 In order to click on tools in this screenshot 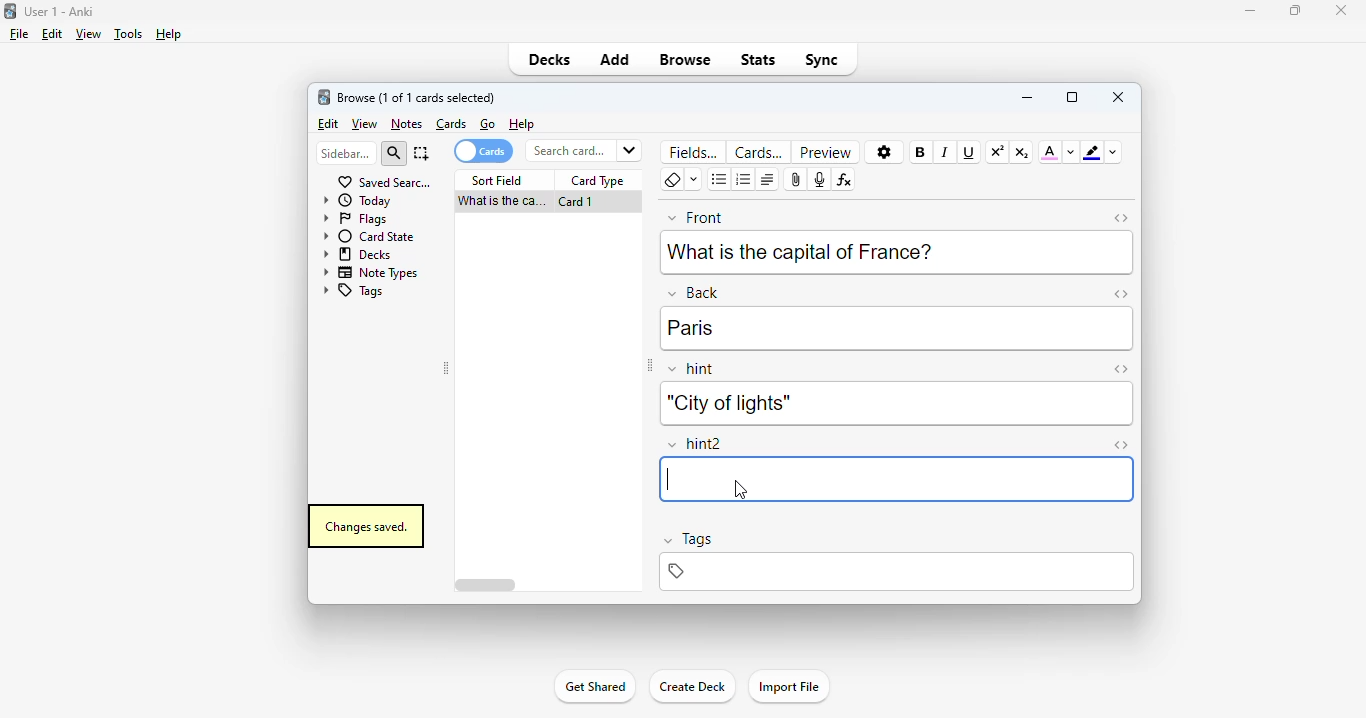, I will do `click(129, 34)`.